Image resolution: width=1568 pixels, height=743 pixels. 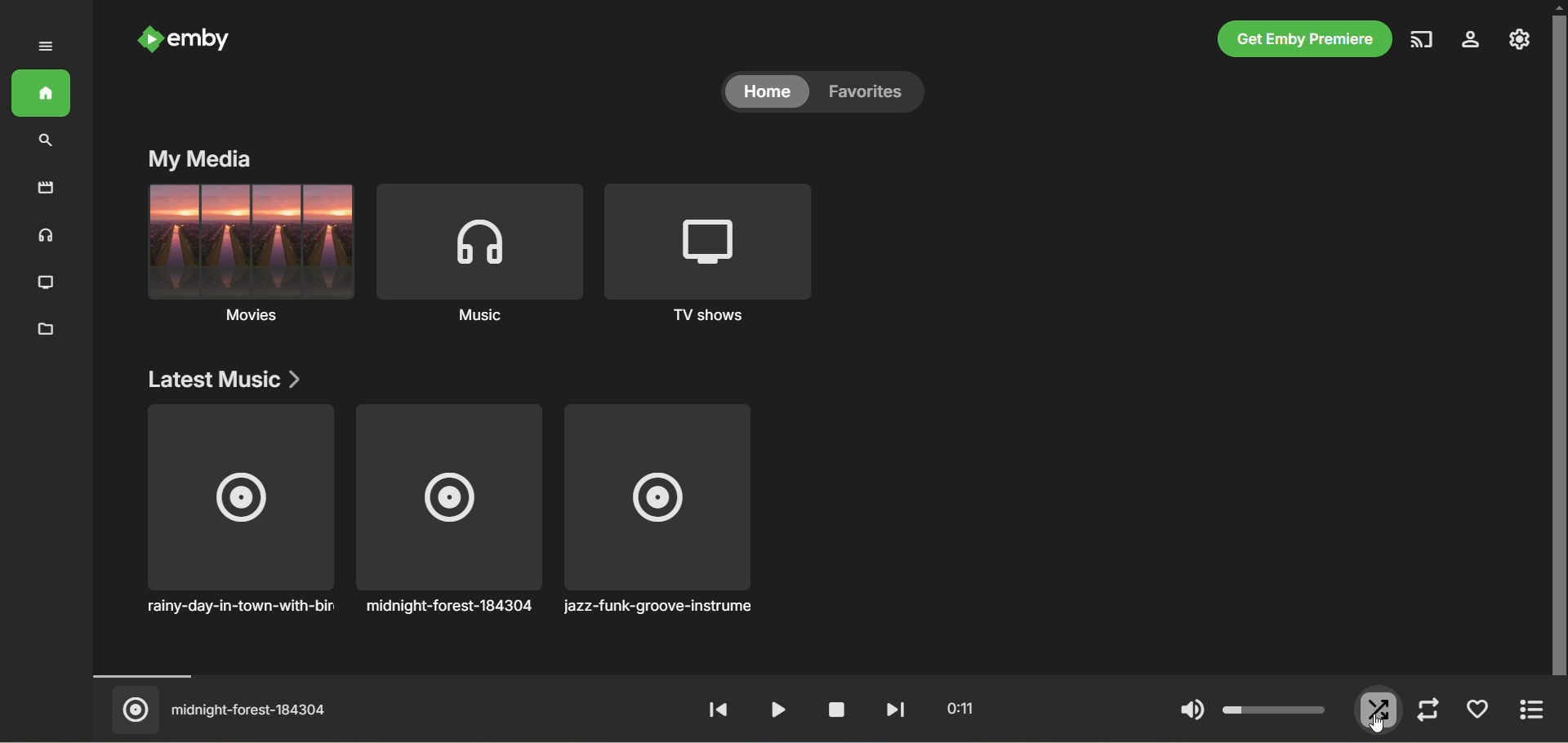 What do you see at coordinates (871, 95) in the screenshot?
I see `favorites` at bounding box center [871, 95].